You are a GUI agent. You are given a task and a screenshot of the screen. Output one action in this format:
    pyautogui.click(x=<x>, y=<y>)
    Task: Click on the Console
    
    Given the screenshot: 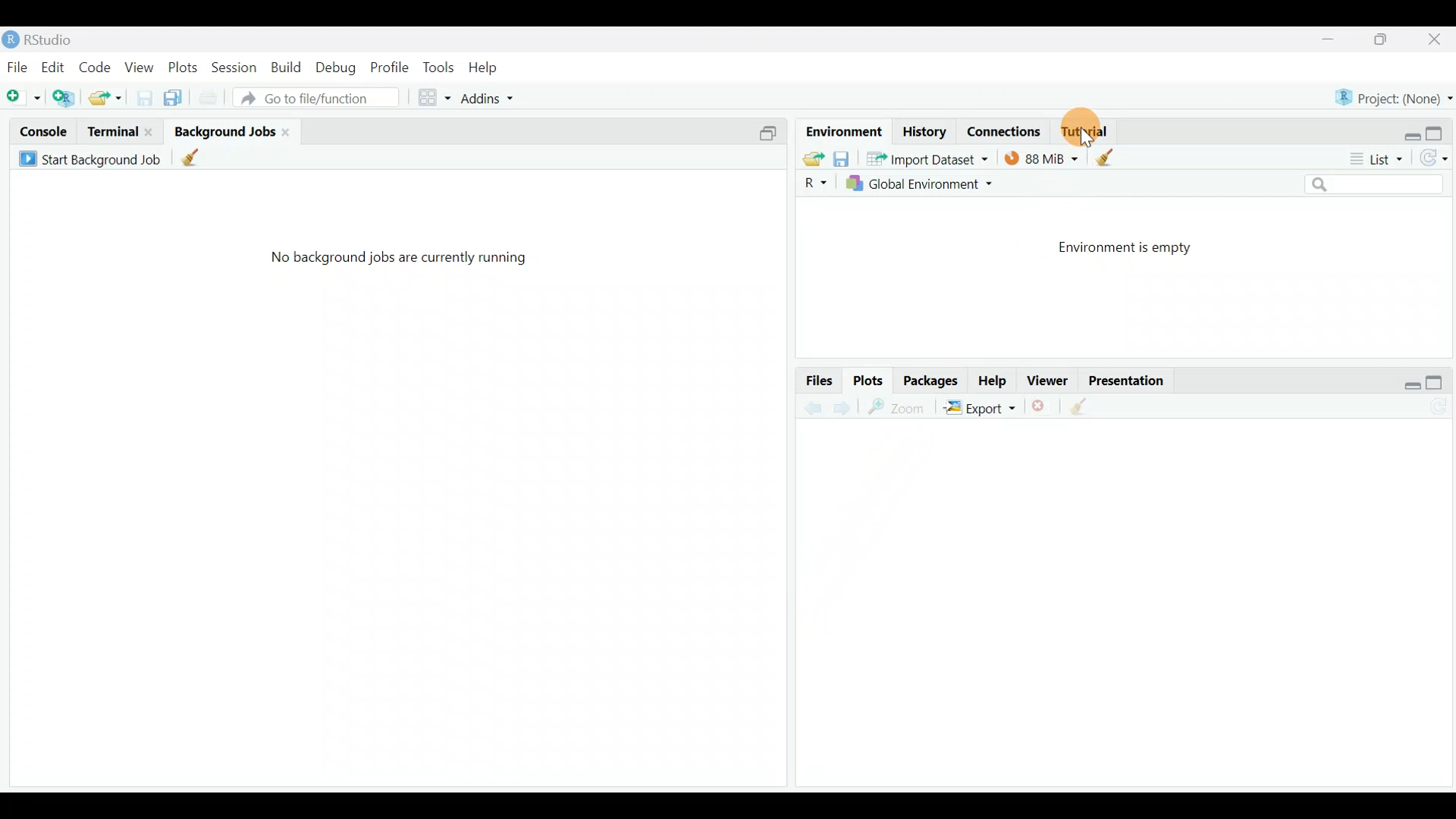 What is the action you would take?
    pyautogui.click(x=45, y=131)
    